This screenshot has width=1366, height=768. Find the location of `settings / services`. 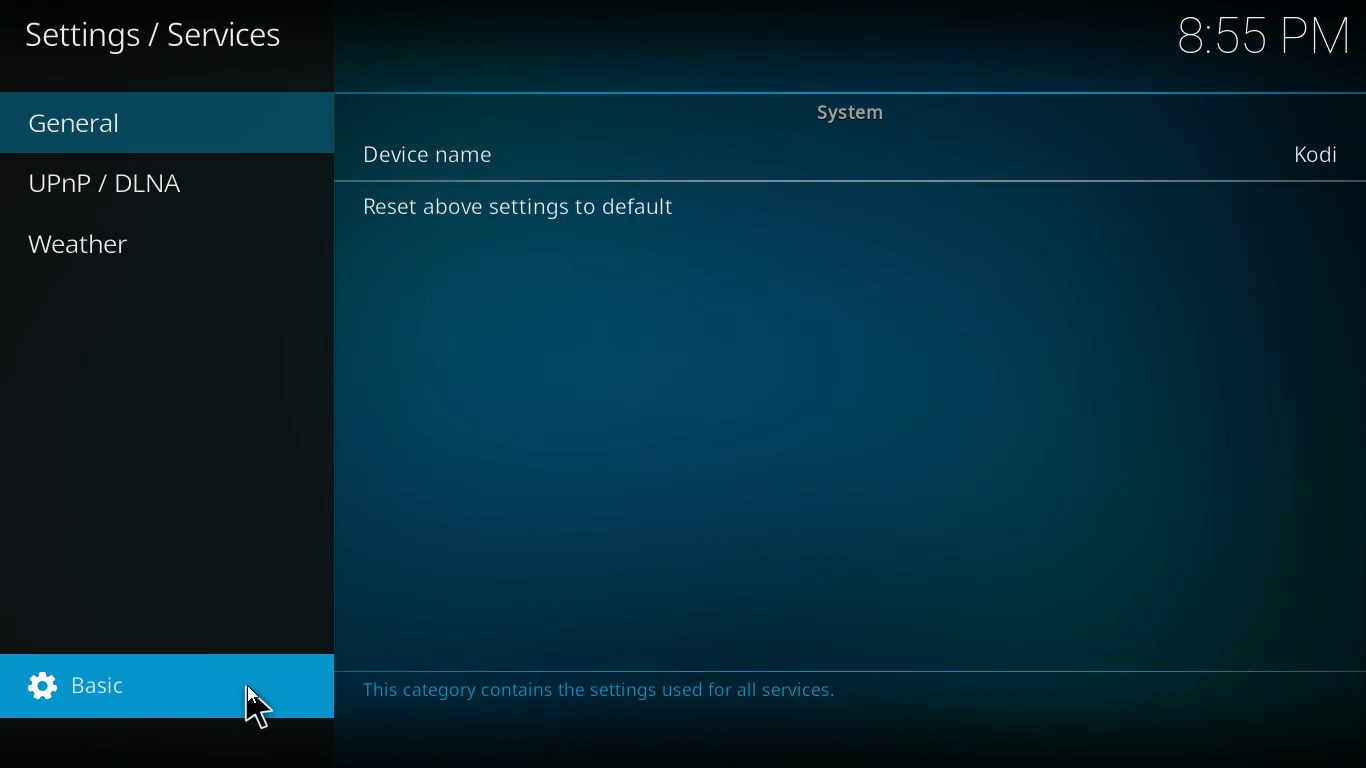

settings / services is located at coordinates (163, 41).